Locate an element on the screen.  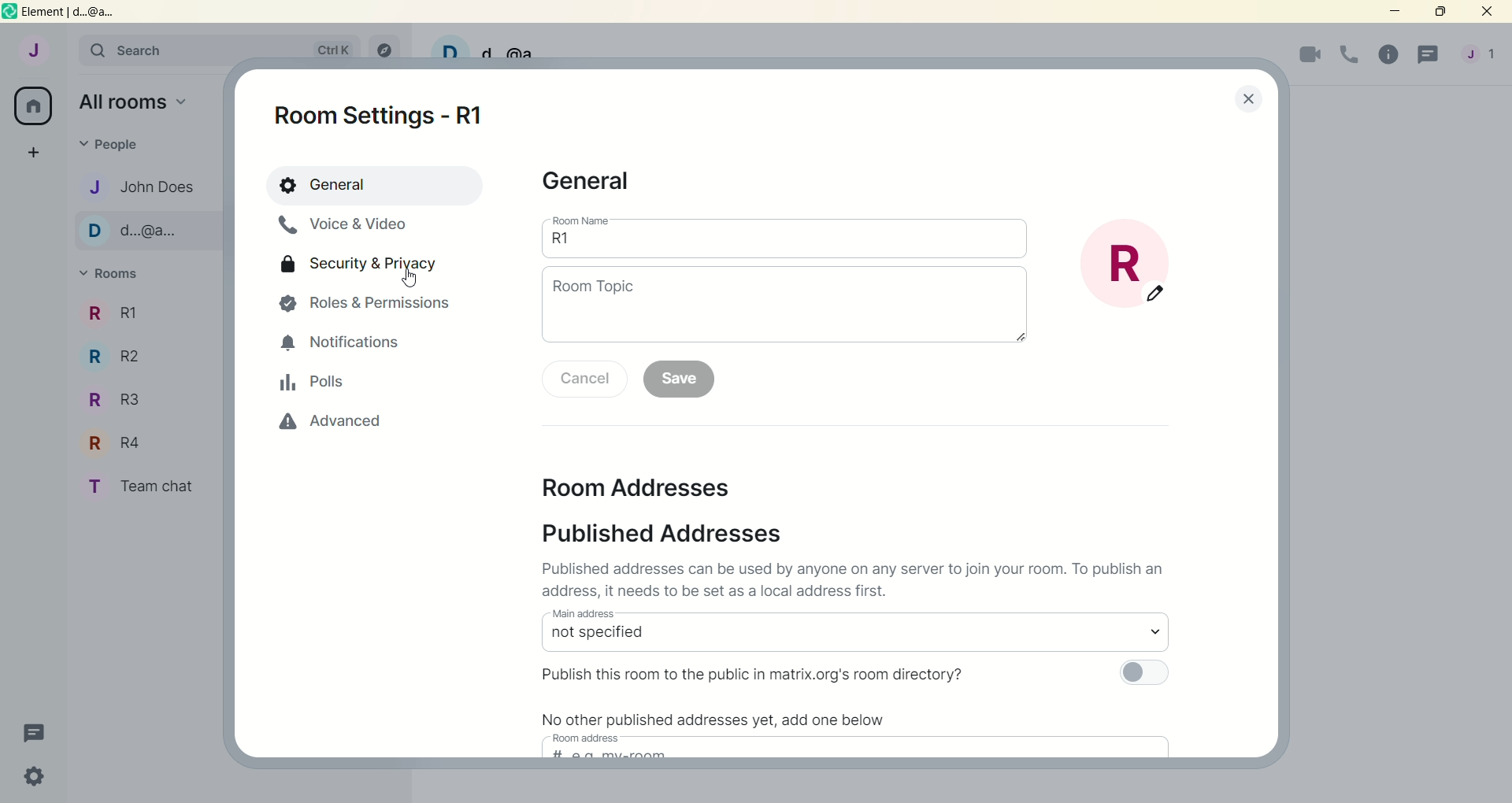
voice call is located at coordinates (1348, 57).